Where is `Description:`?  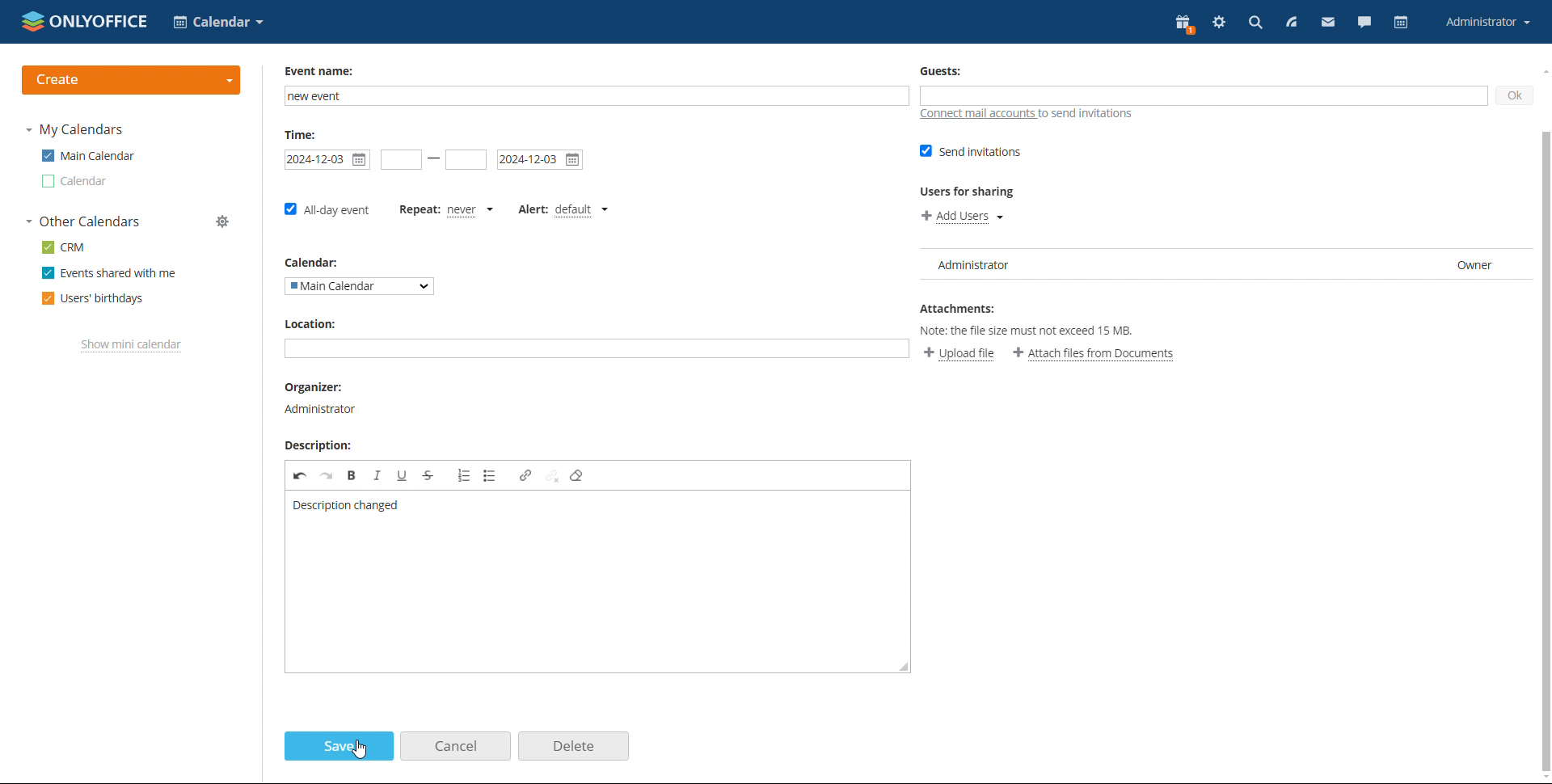
Description: is located at coordinates (318, 446).